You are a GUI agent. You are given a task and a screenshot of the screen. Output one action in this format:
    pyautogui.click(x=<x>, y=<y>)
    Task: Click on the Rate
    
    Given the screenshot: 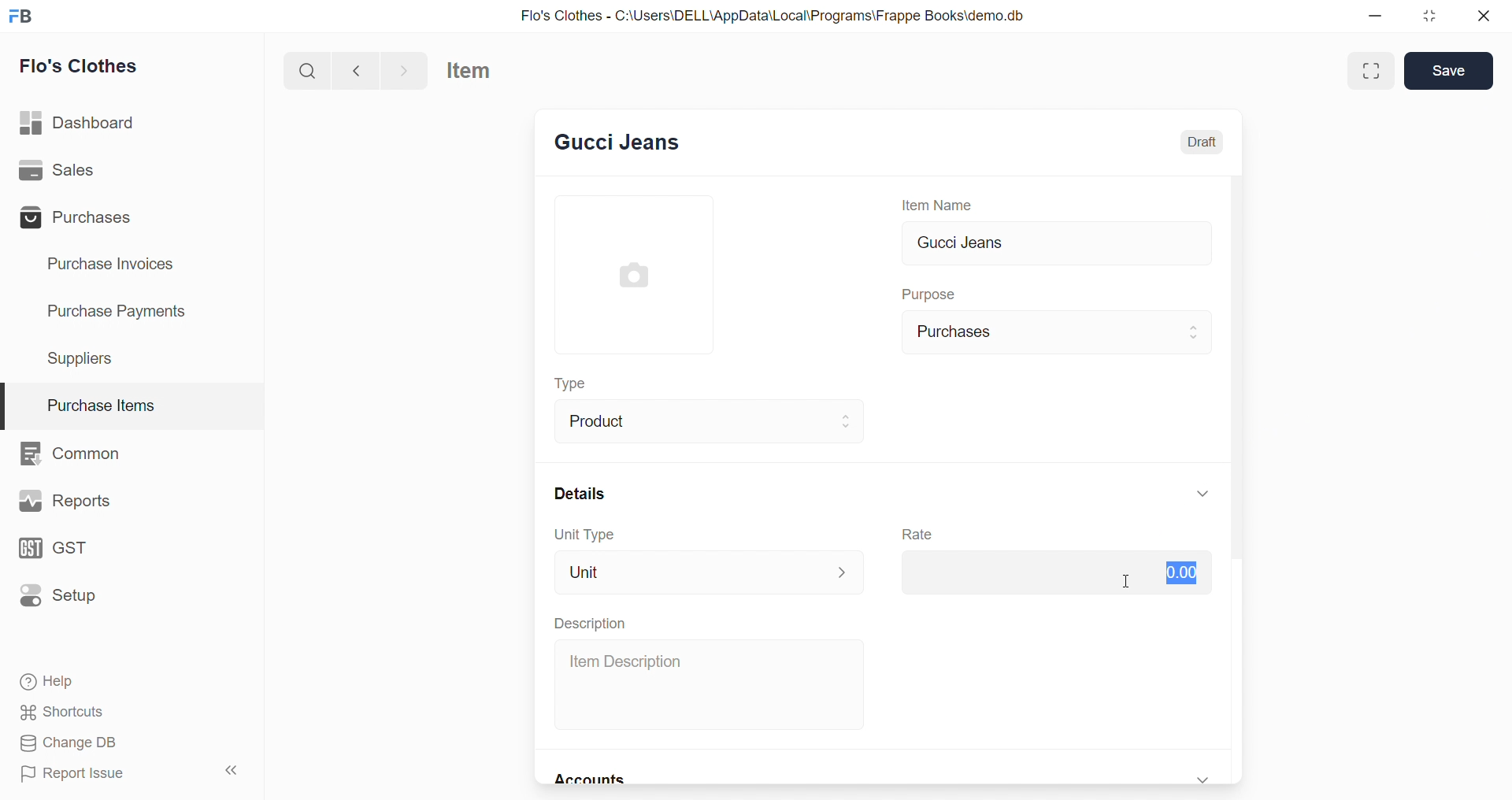 What is the action you would take?
    pyautogui.click(x=920, y=535)
    